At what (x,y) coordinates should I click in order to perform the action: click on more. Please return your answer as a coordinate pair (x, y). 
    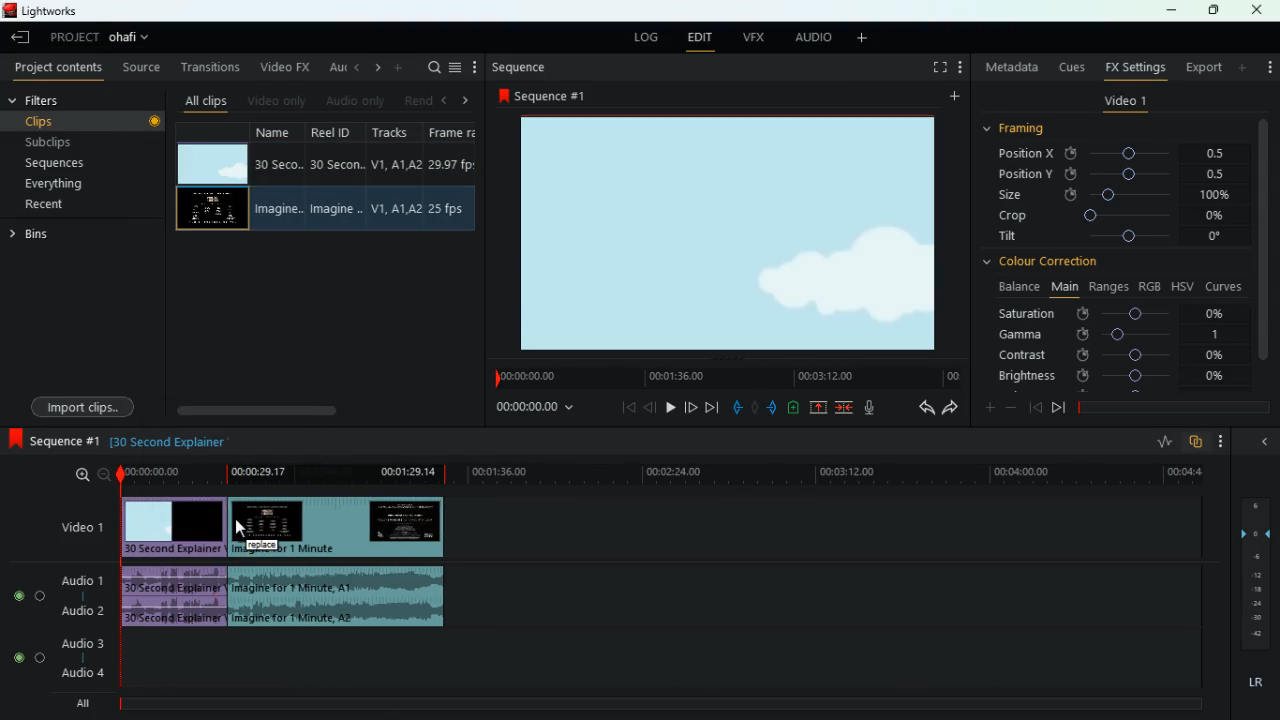
    Looking at the image, I should click on (952, 99).